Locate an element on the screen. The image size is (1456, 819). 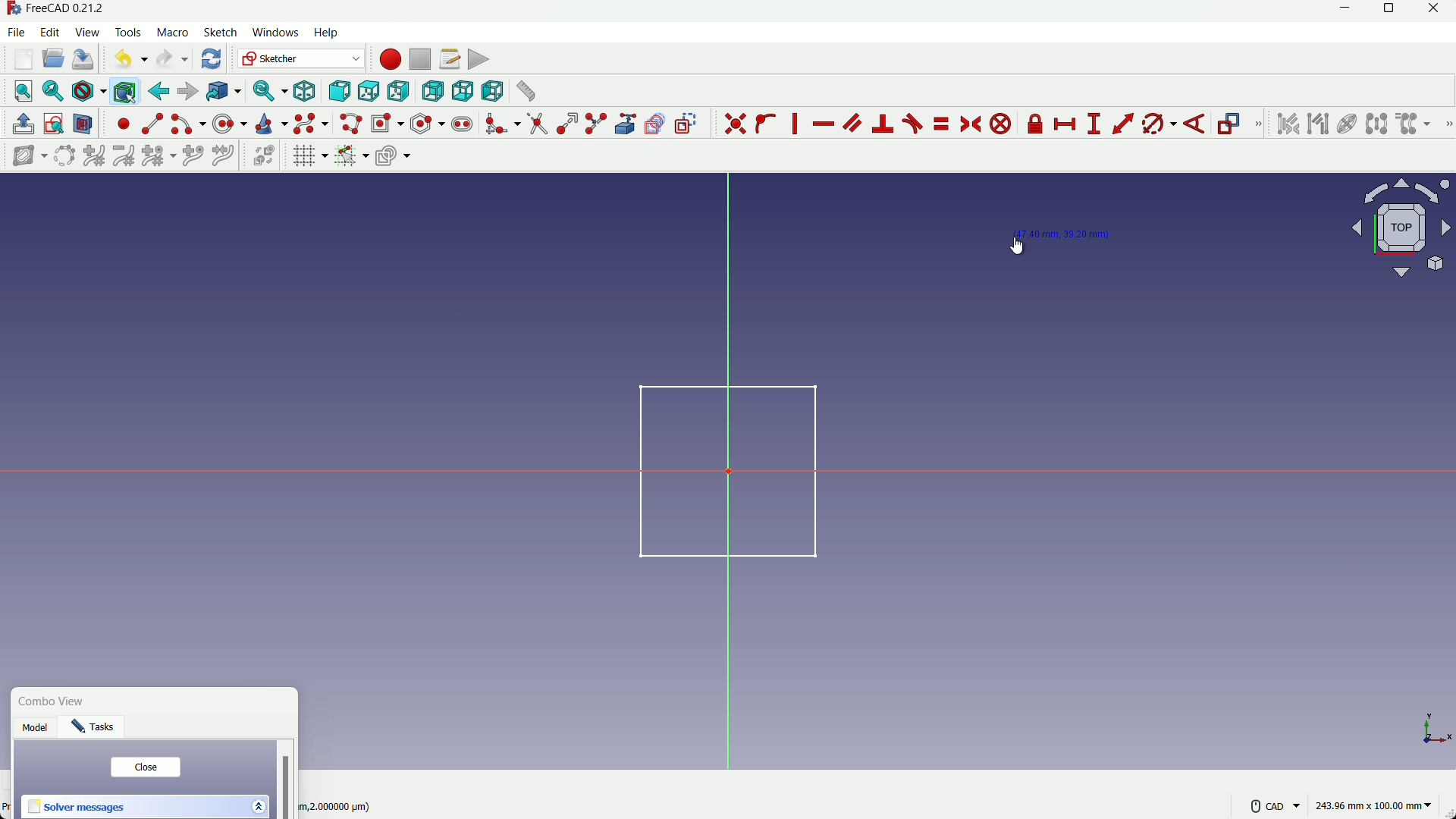
view section is located at coordinates (83, 125).